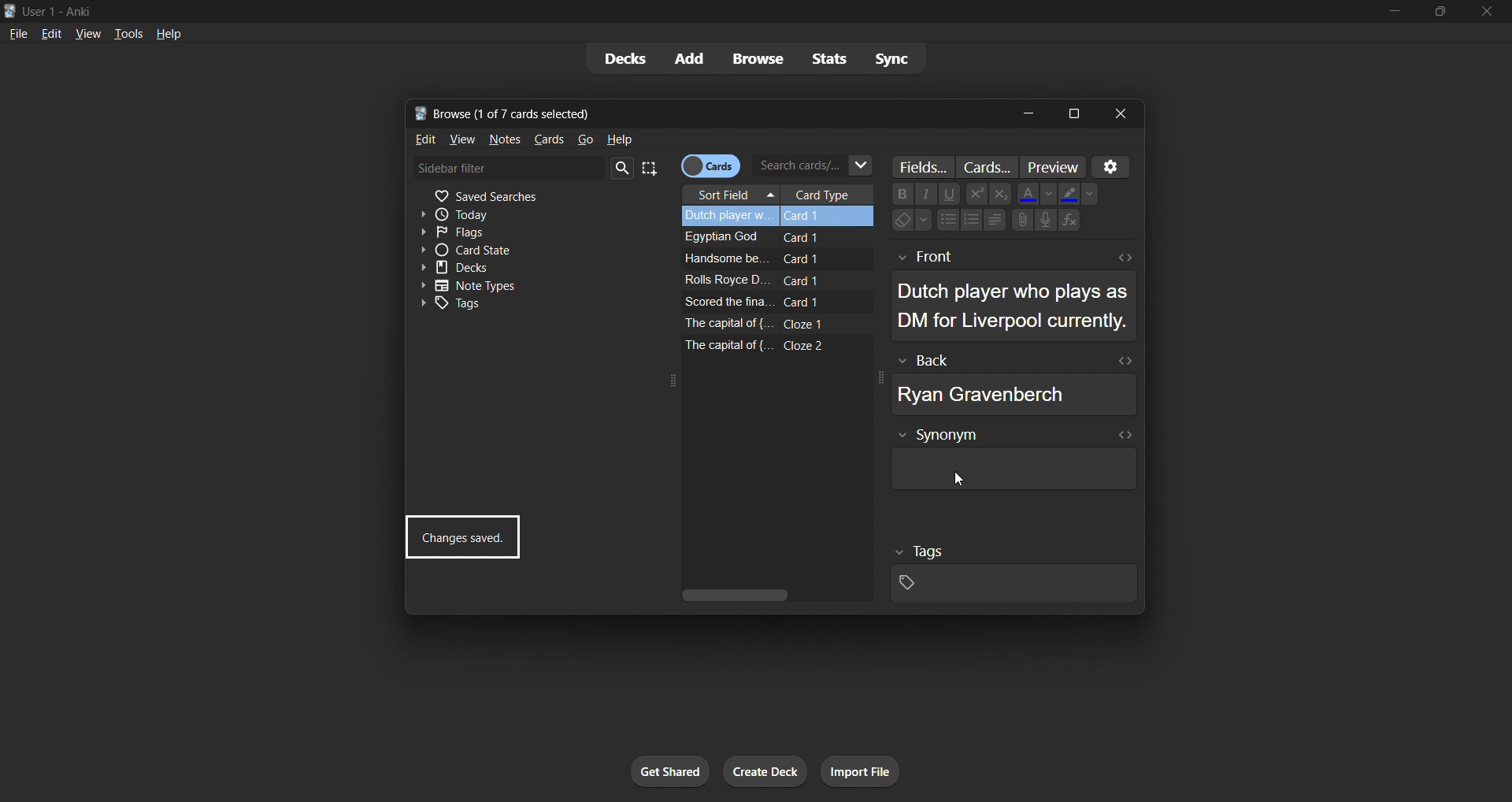 Image resolution: width=1512 pixels, height=802 pixels. Describe the element at coordinates (666, 771) in the screenshot. I see `get shared` at that location.